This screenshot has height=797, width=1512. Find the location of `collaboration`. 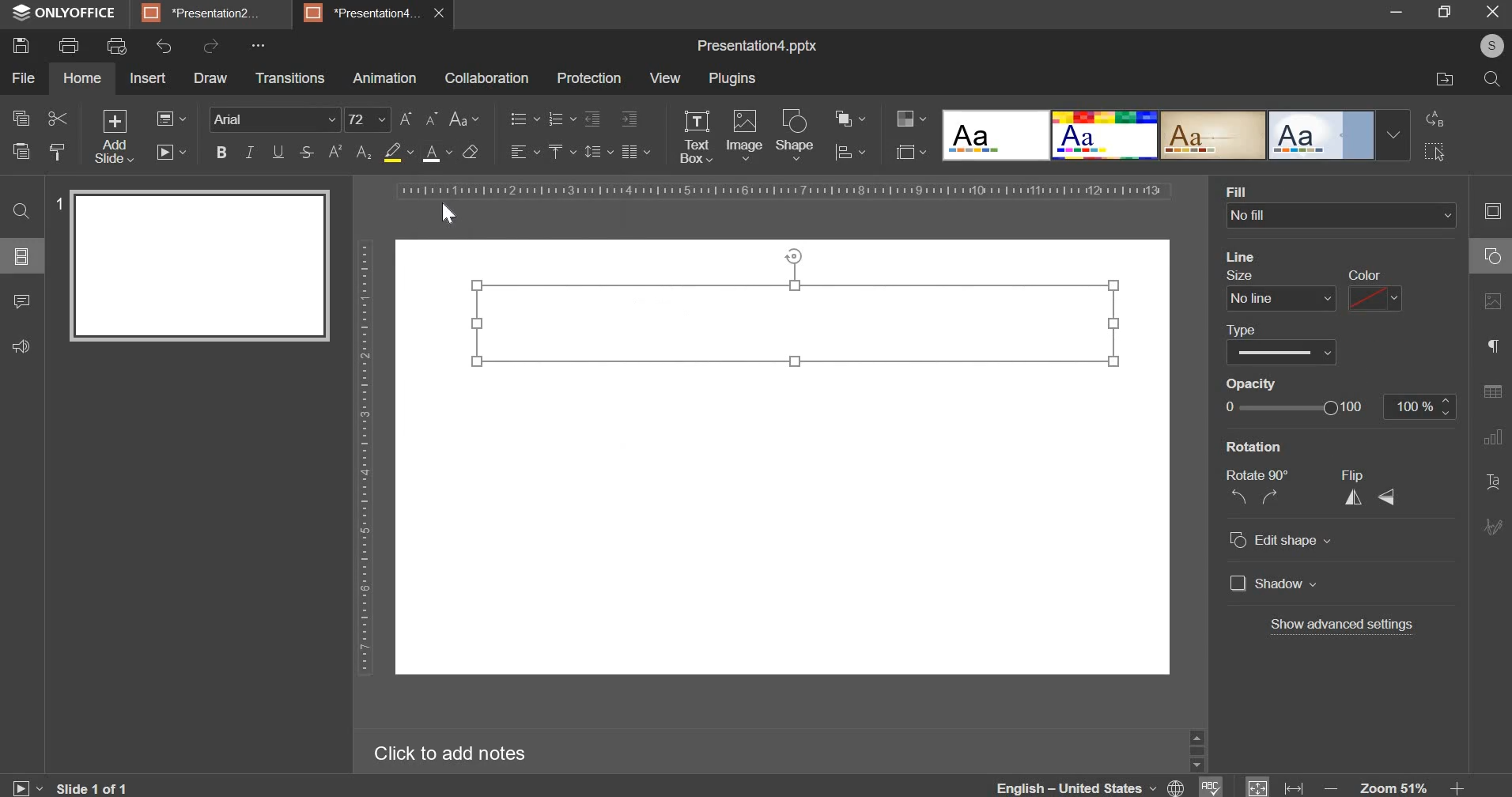

collaboration is located at coordinates (486, 78).